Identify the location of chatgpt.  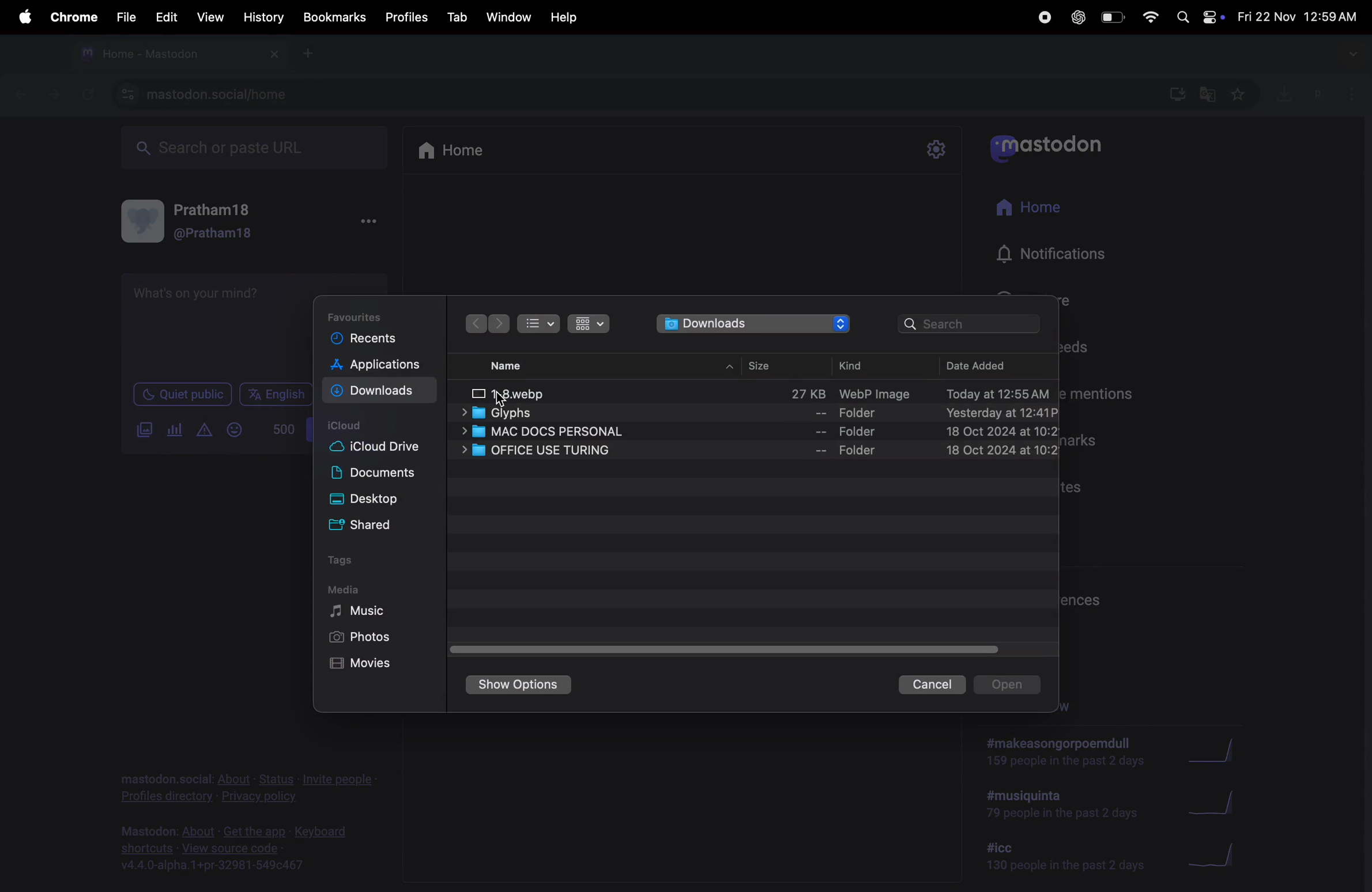
(1072, 17).